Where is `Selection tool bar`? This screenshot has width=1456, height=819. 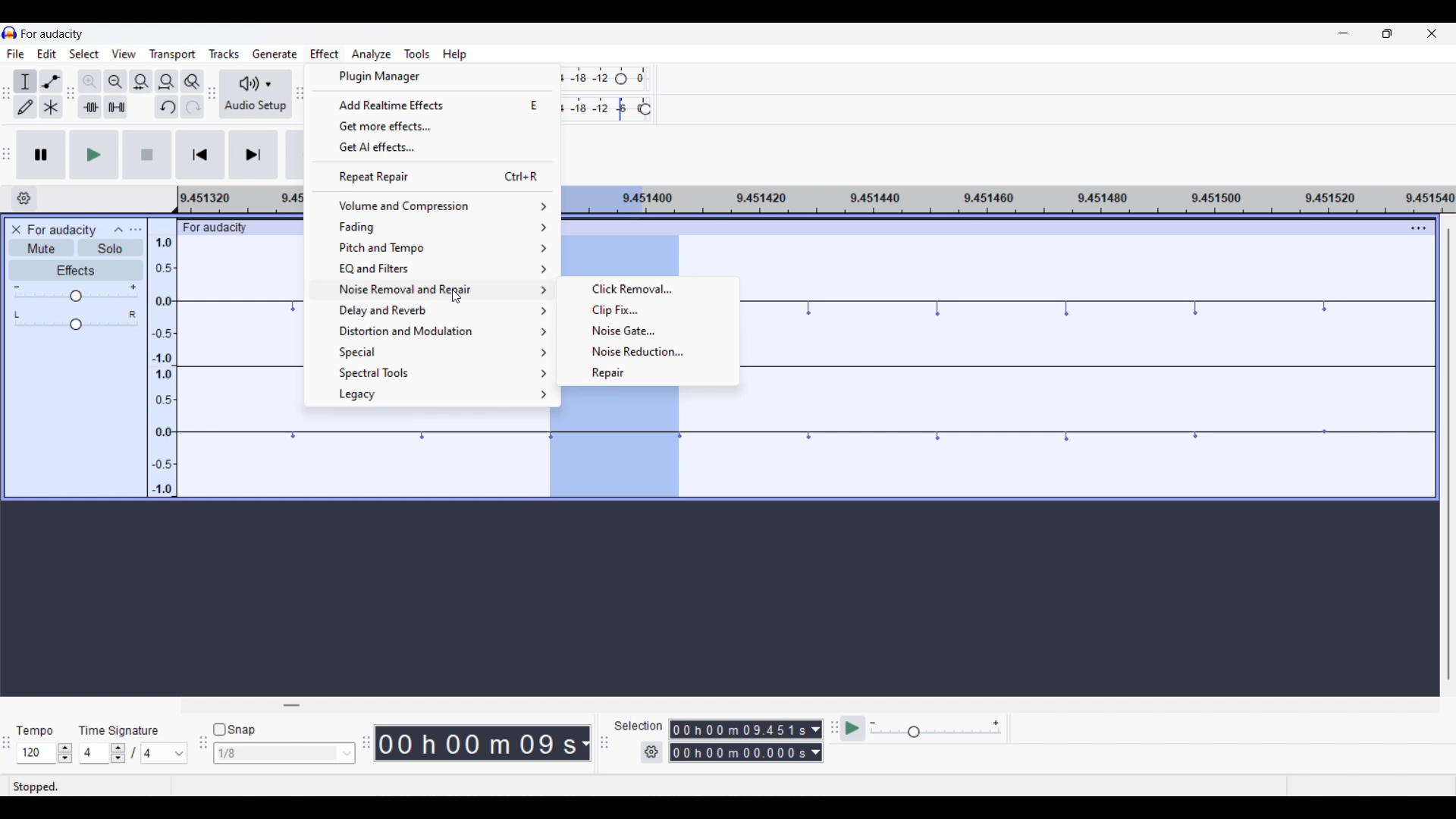 Selection tool bar is located at coordinates (604, 743).